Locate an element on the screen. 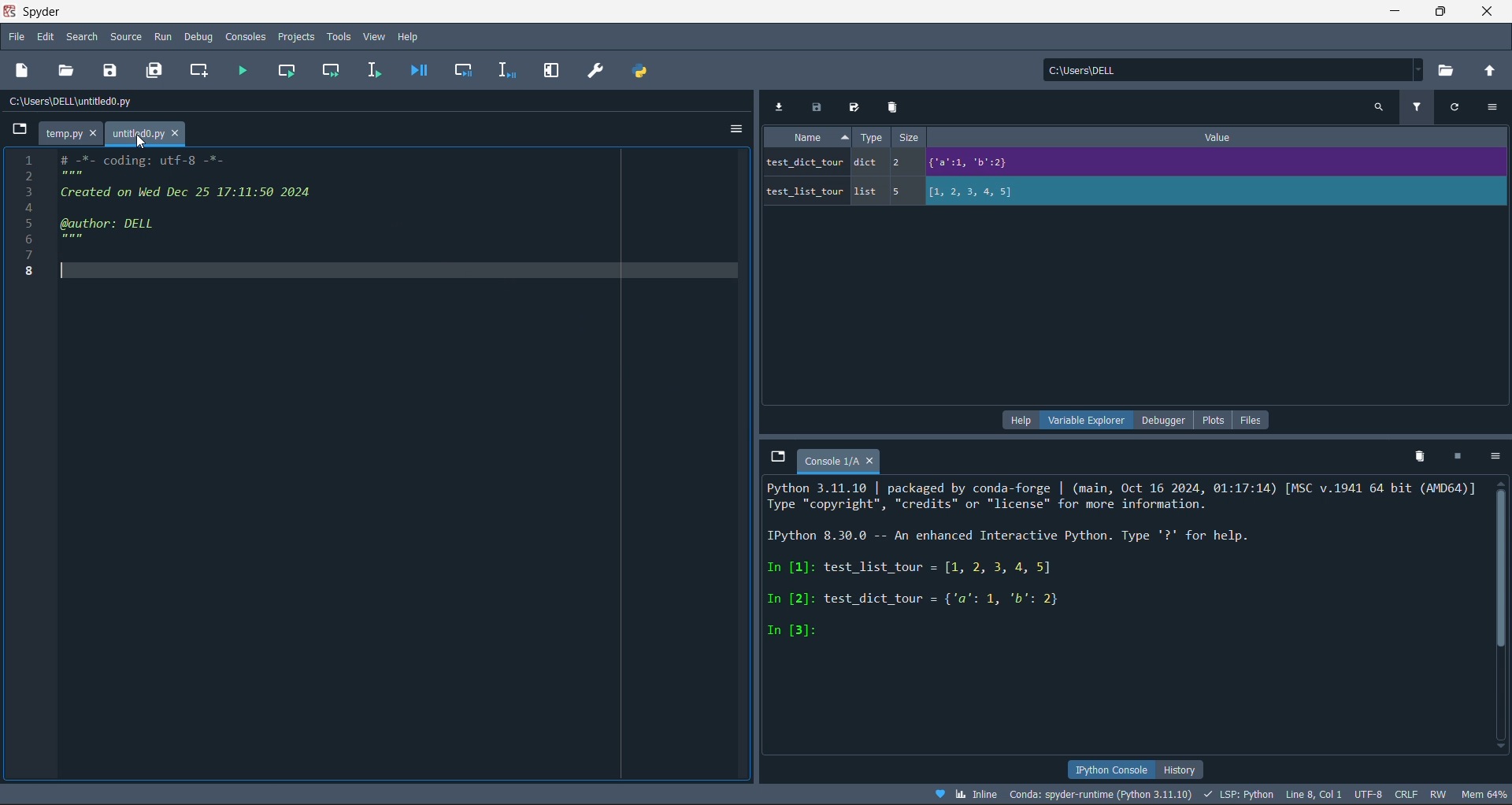  delete ALL is located at coordinates (1425, 457).